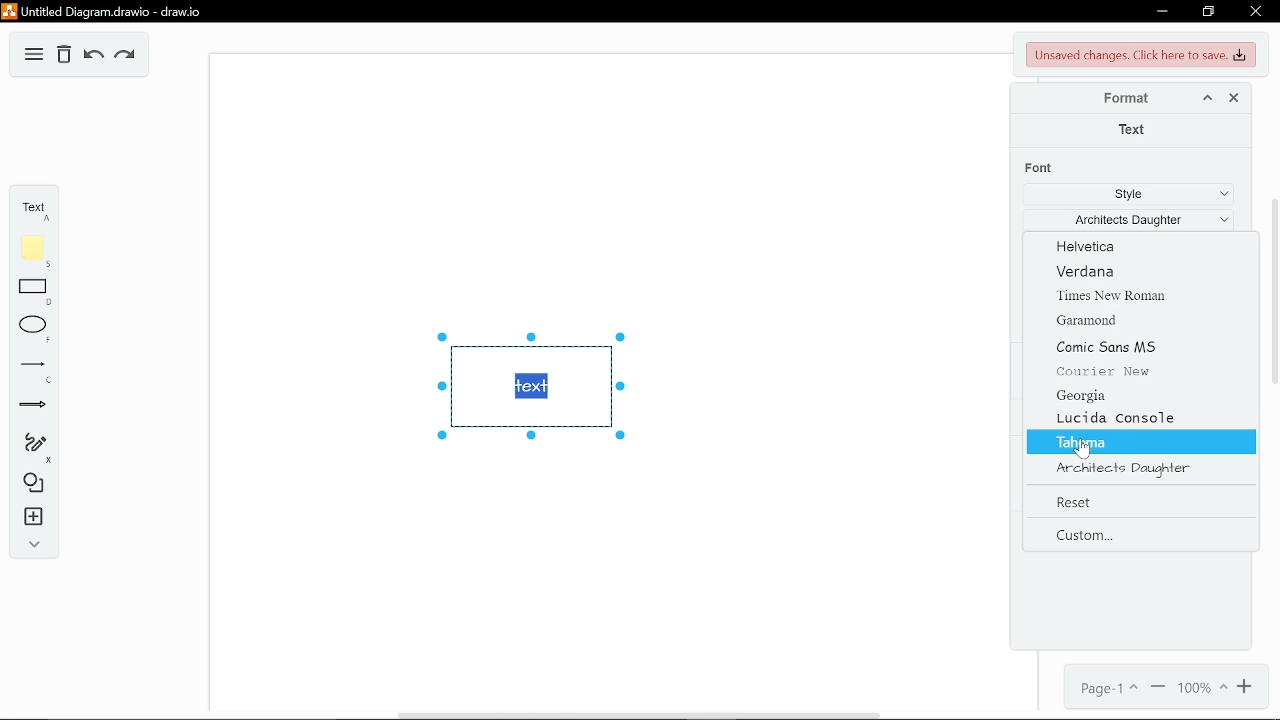 This screenshot has width=1280, height=720. I want to click on tahma, so click(1139, 442).